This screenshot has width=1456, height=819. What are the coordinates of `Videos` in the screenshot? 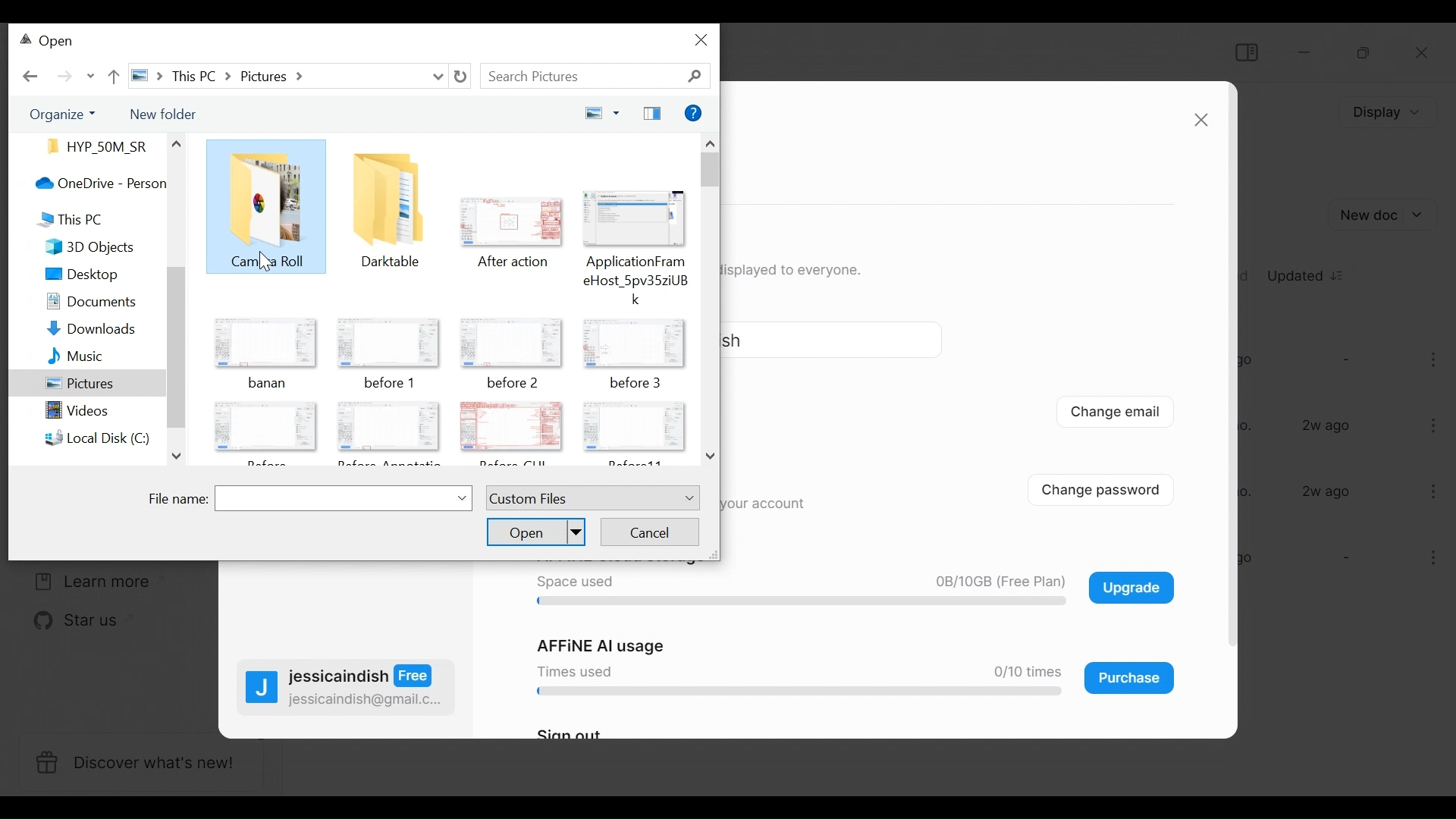 It's located at (66, 414).